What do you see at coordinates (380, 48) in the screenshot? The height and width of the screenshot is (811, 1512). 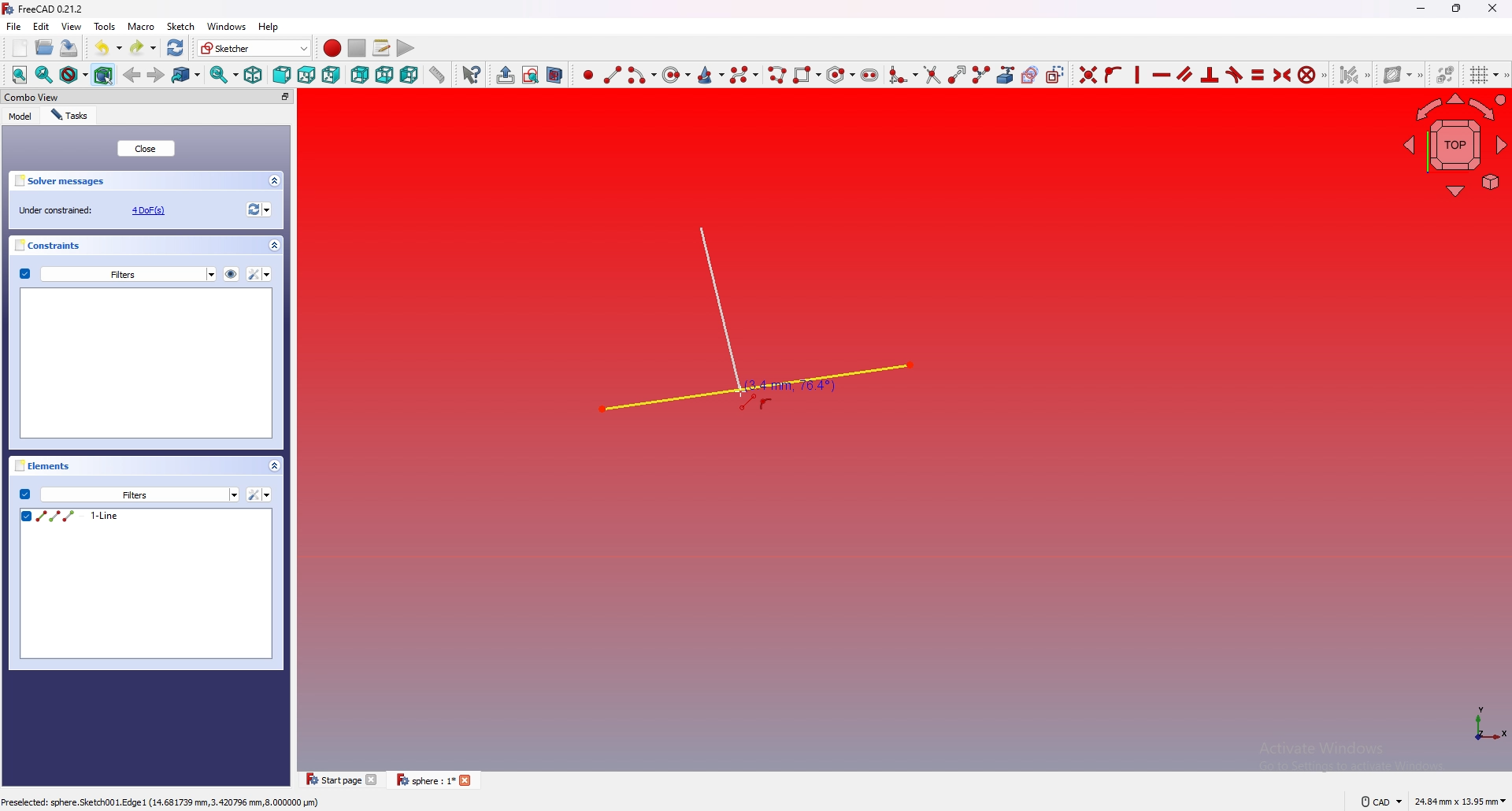 I see `Macros ...` at bounding box center [380, 48].